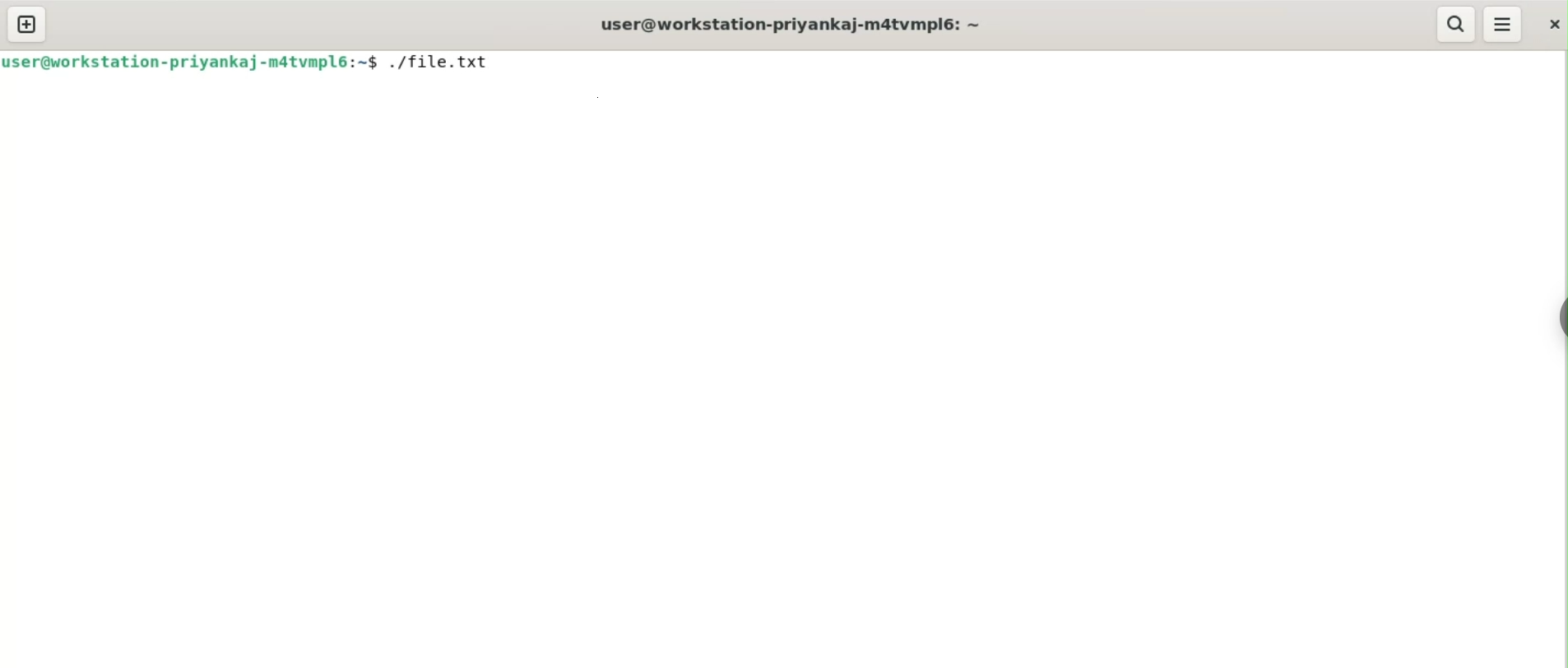 The width and height of the screenshot is (1568, 668). Describe the element at coordinates (1458, 25) in the screenshot. I see `search` at that location.